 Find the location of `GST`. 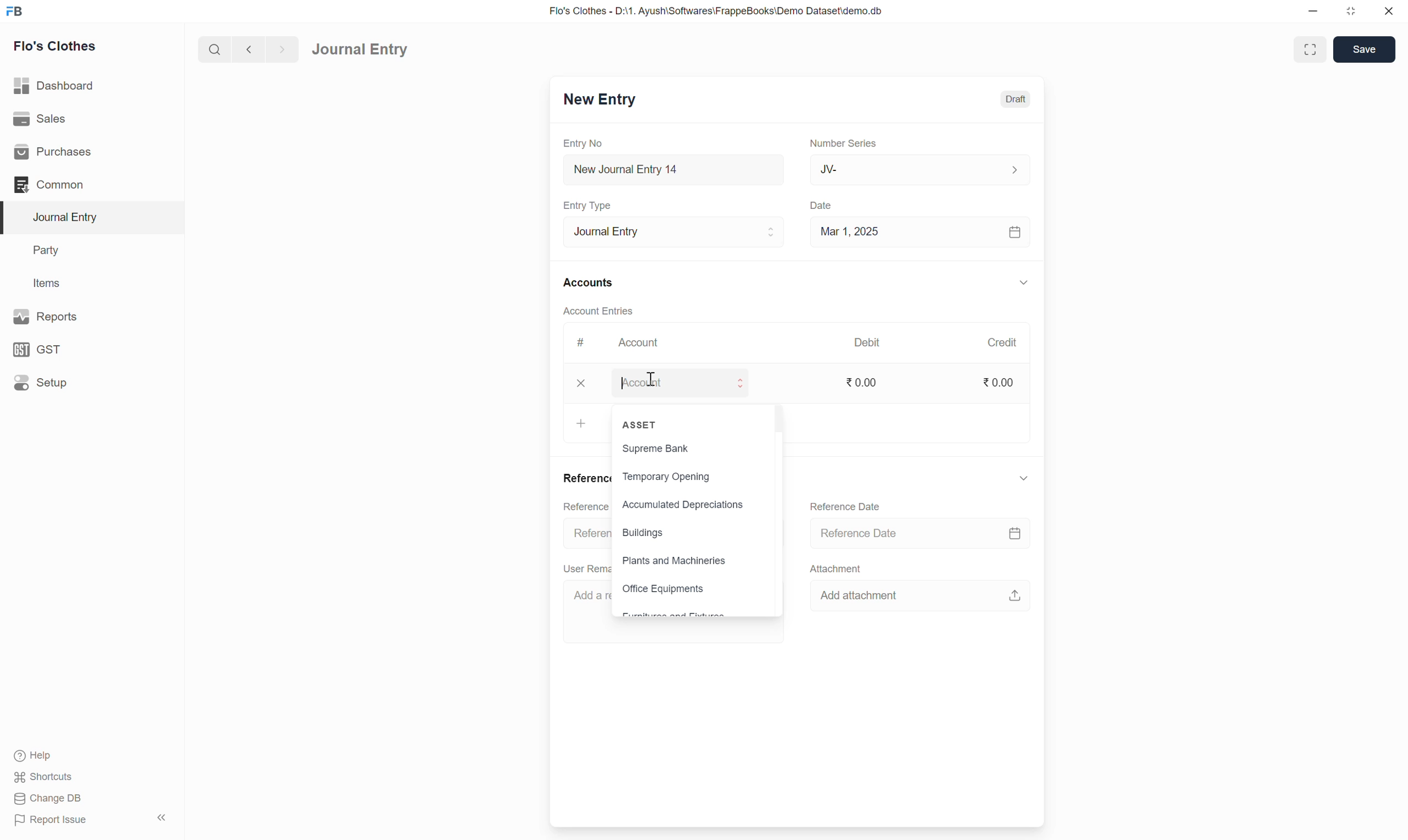

GST is located at coordinates (39, 350).